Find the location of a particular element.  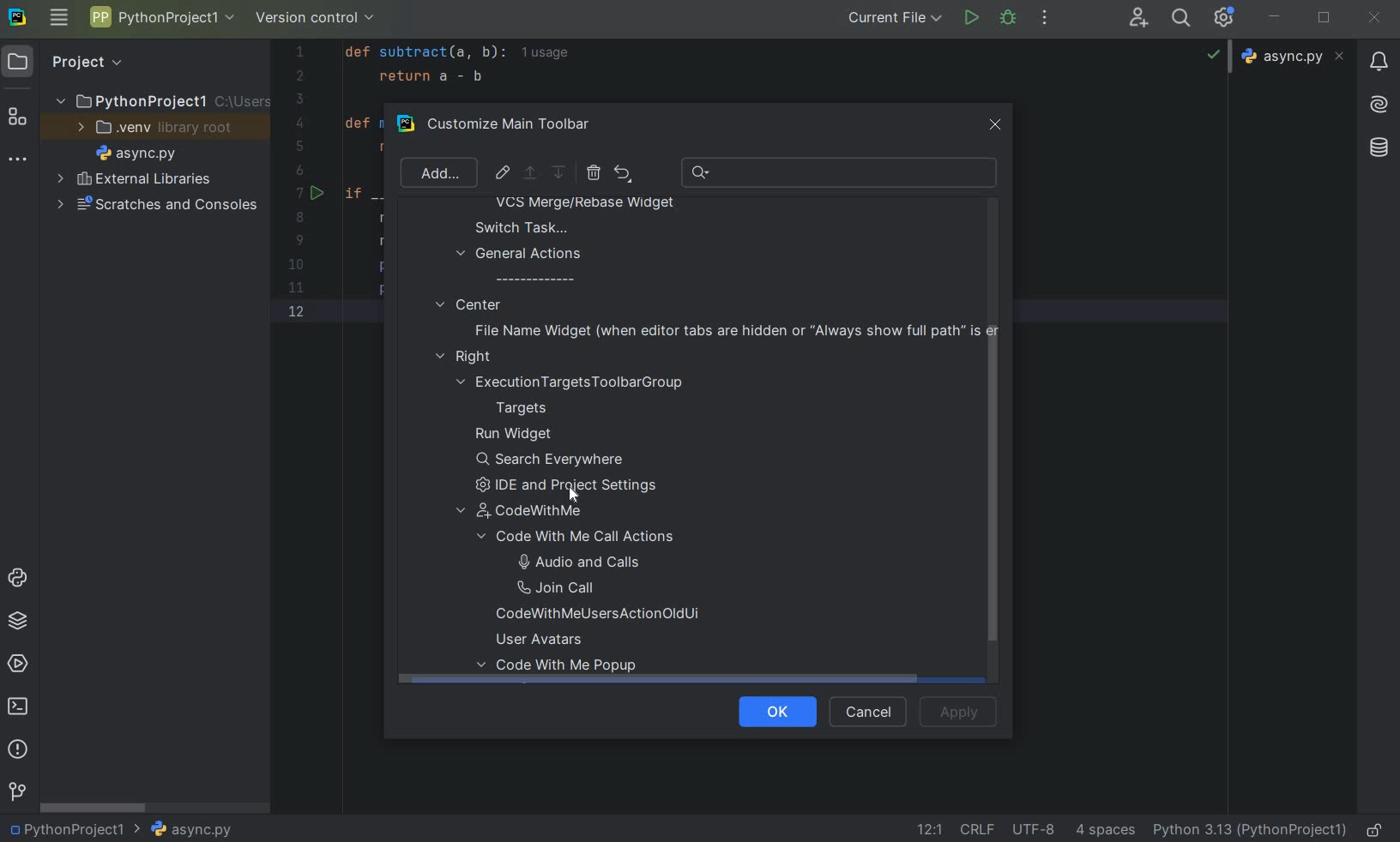

SEARCH EVERYWHERE is located at coordinates (1185, 18).